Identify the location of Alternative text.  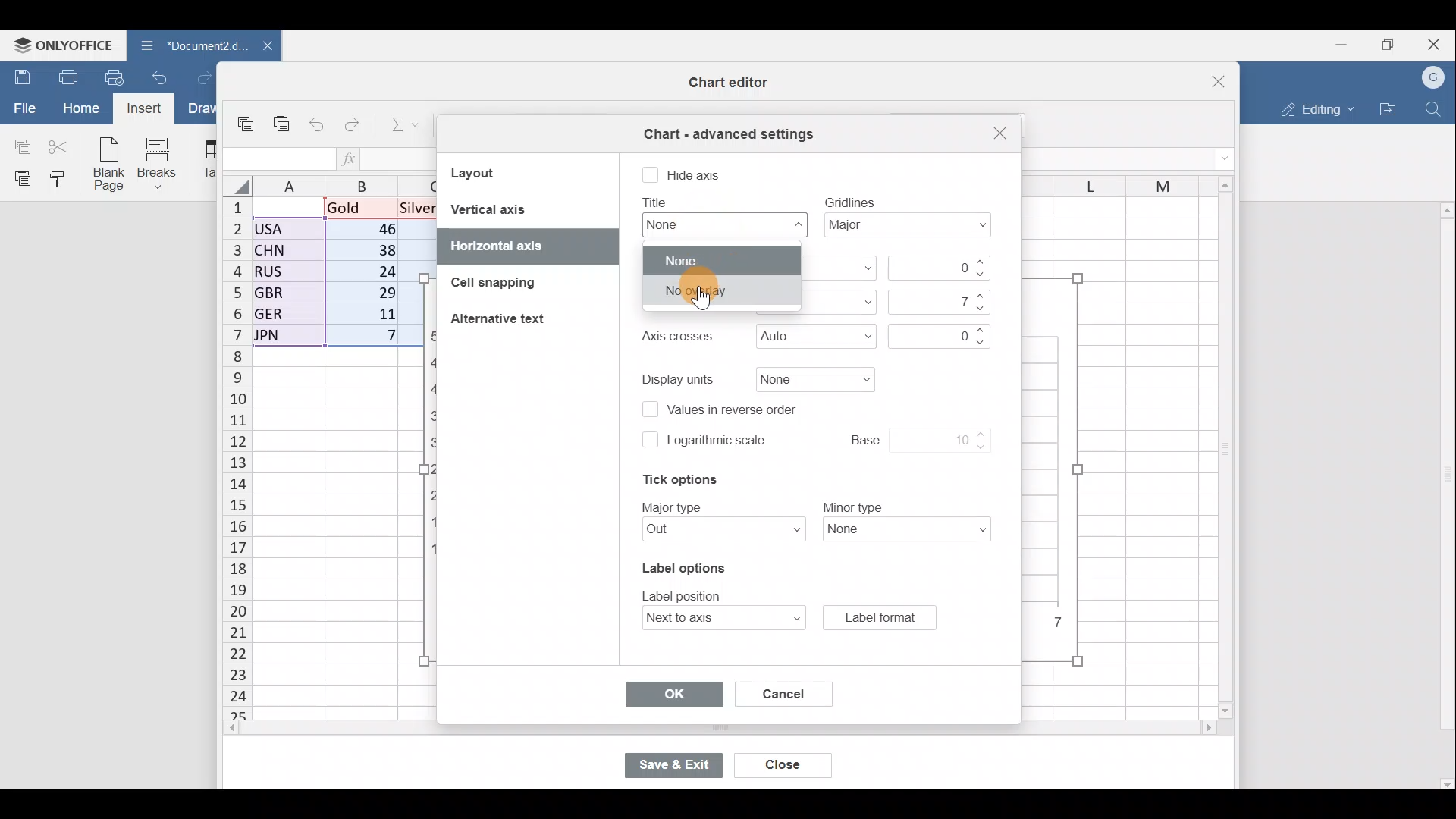
(502, 323).